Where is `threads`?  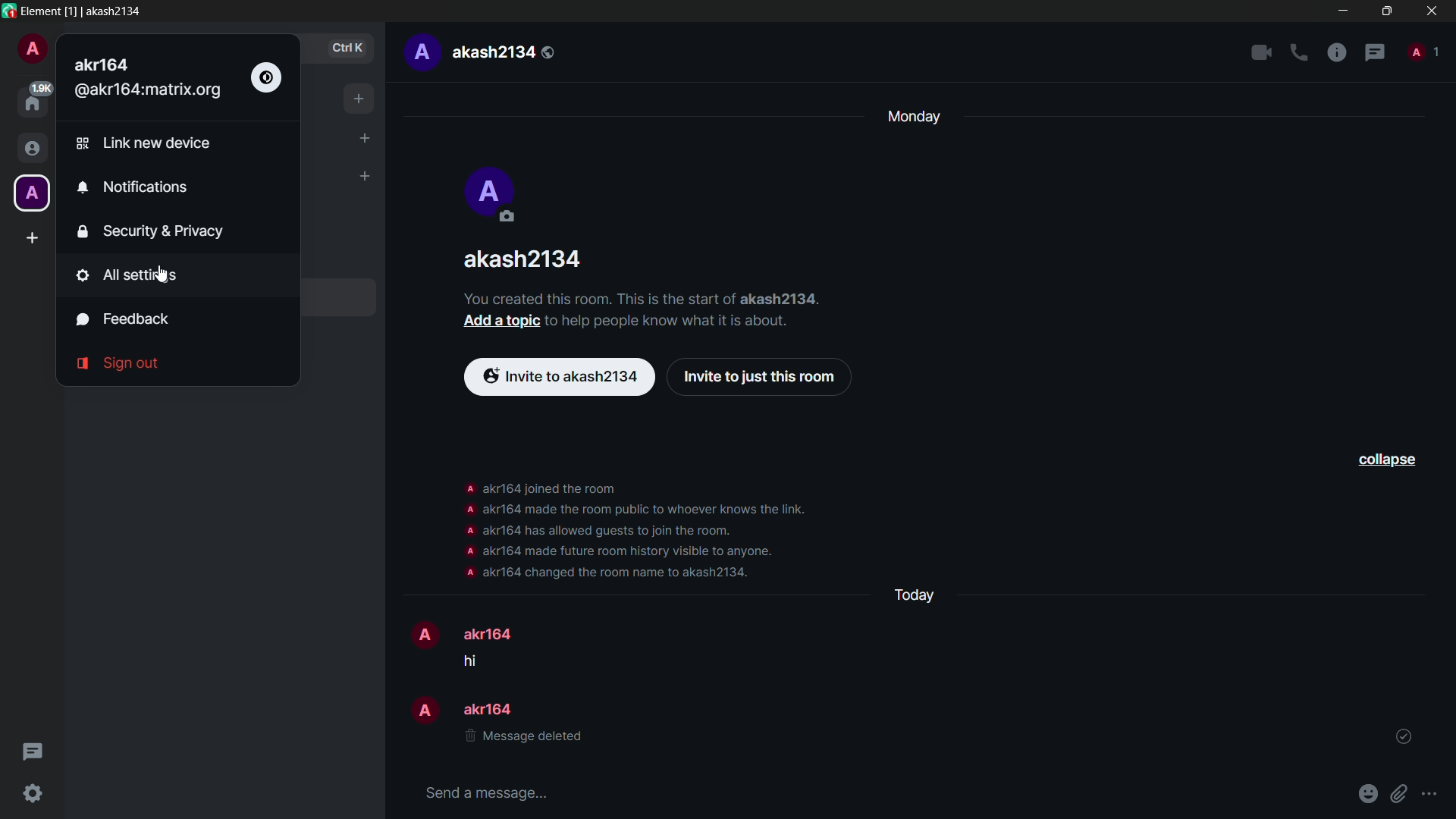
threads is located at coordinates (1375, 54).